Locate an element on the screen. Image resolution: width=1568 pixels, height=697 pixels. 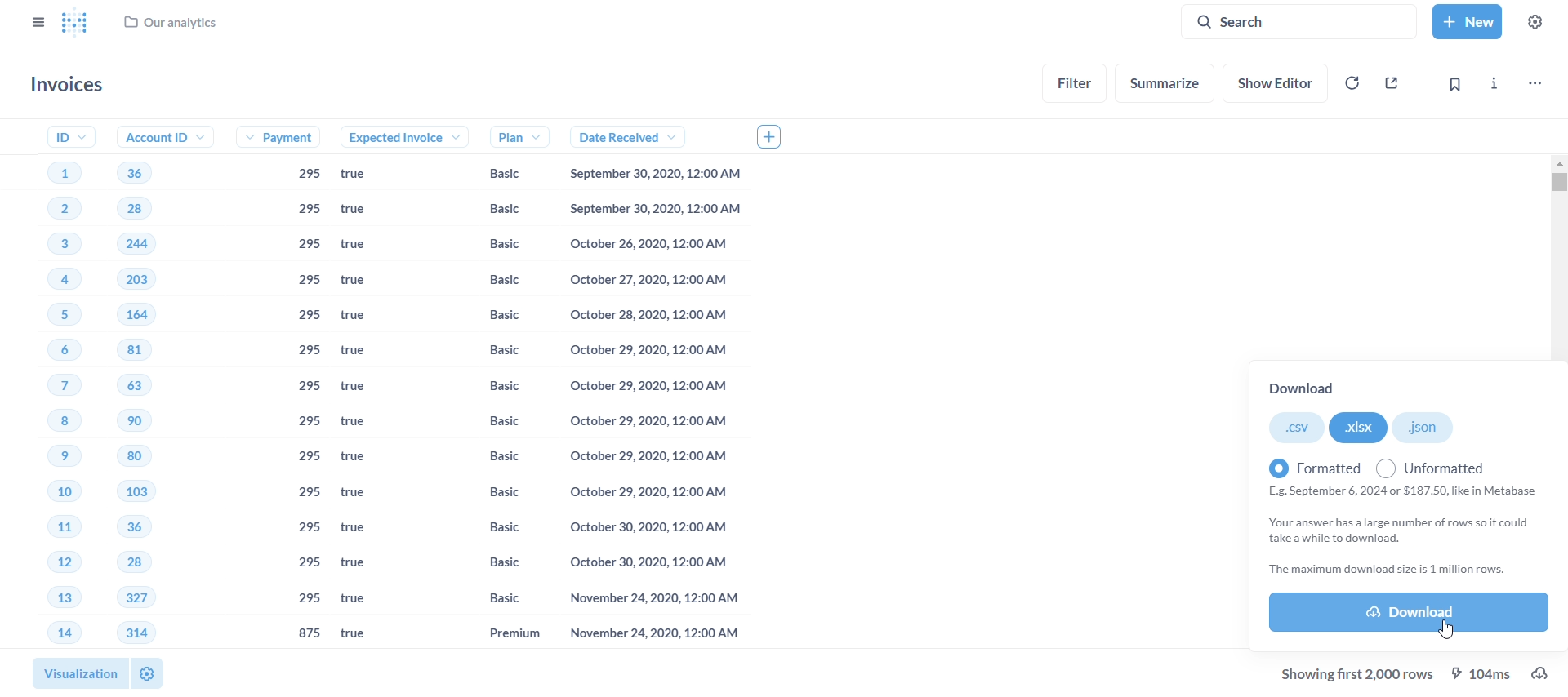
7 is located at coordinates (47, 386).